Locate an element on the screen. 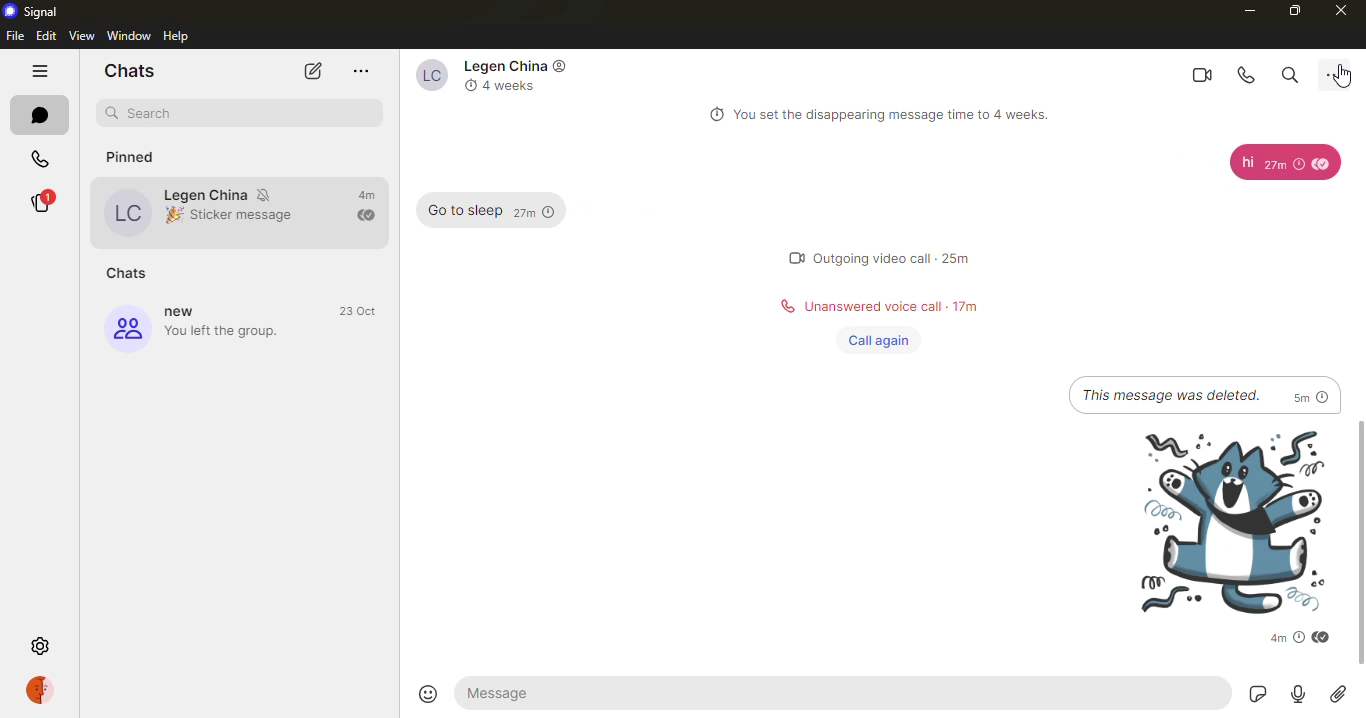 This screenshot has height=718, width=1366. Go to sleep is located at coordinates (460, 211).